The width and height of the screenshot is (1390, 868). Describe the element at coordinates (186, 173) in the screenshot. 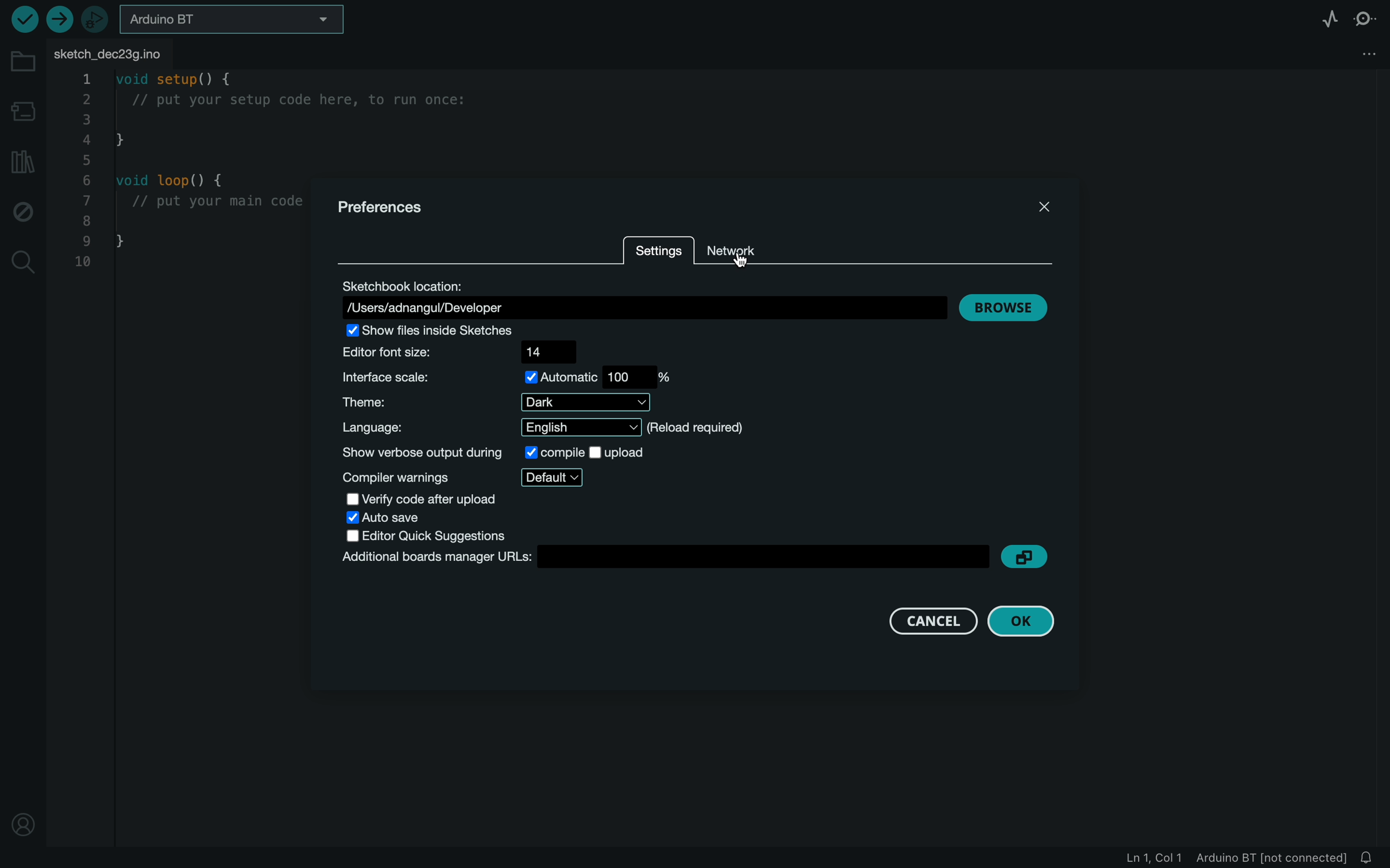

I see `code` at that location.